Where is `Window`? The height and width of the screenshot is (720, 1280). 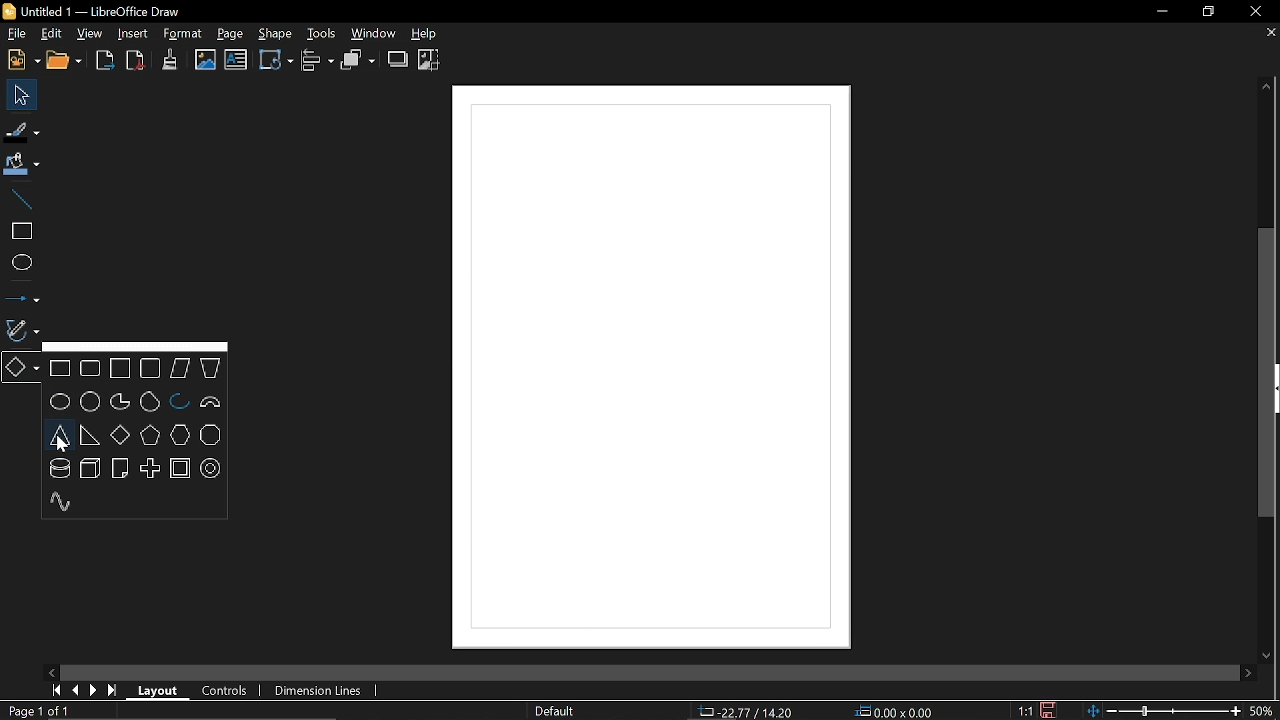
Window is located at coordinates (374, 33).